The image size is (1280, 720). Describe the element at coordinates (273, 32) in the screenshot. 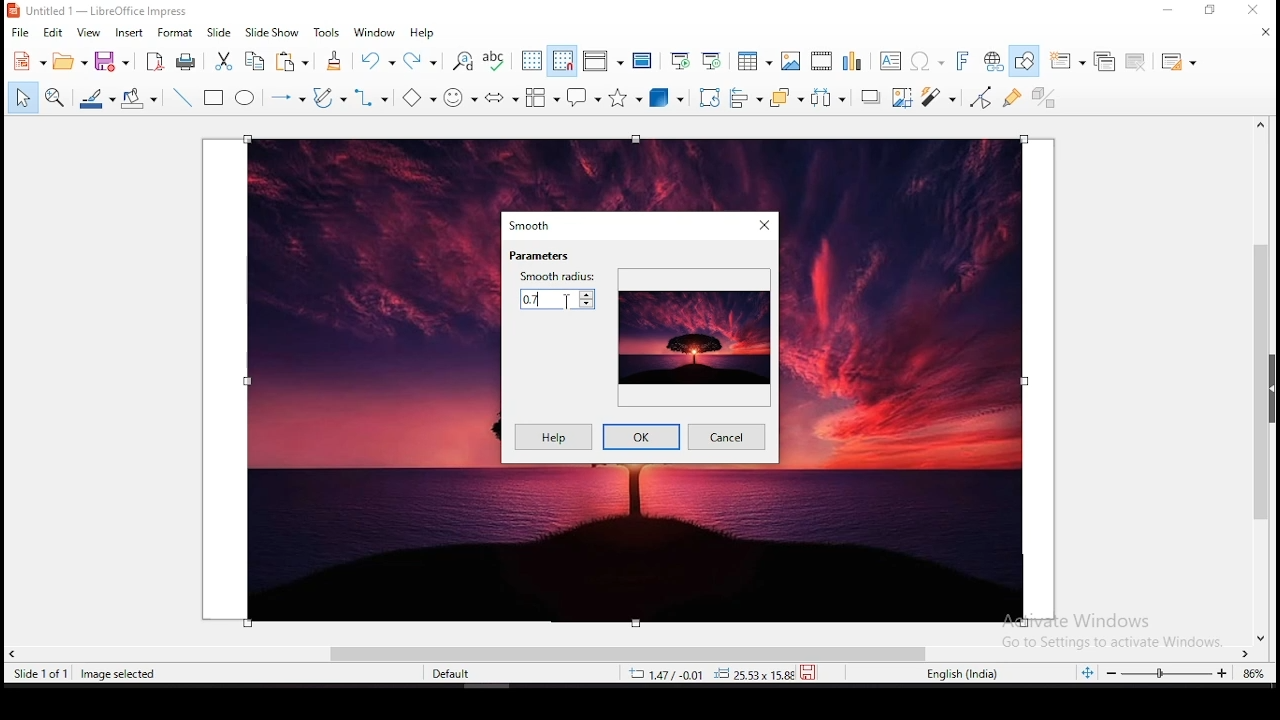

I see `slide show` at that location.